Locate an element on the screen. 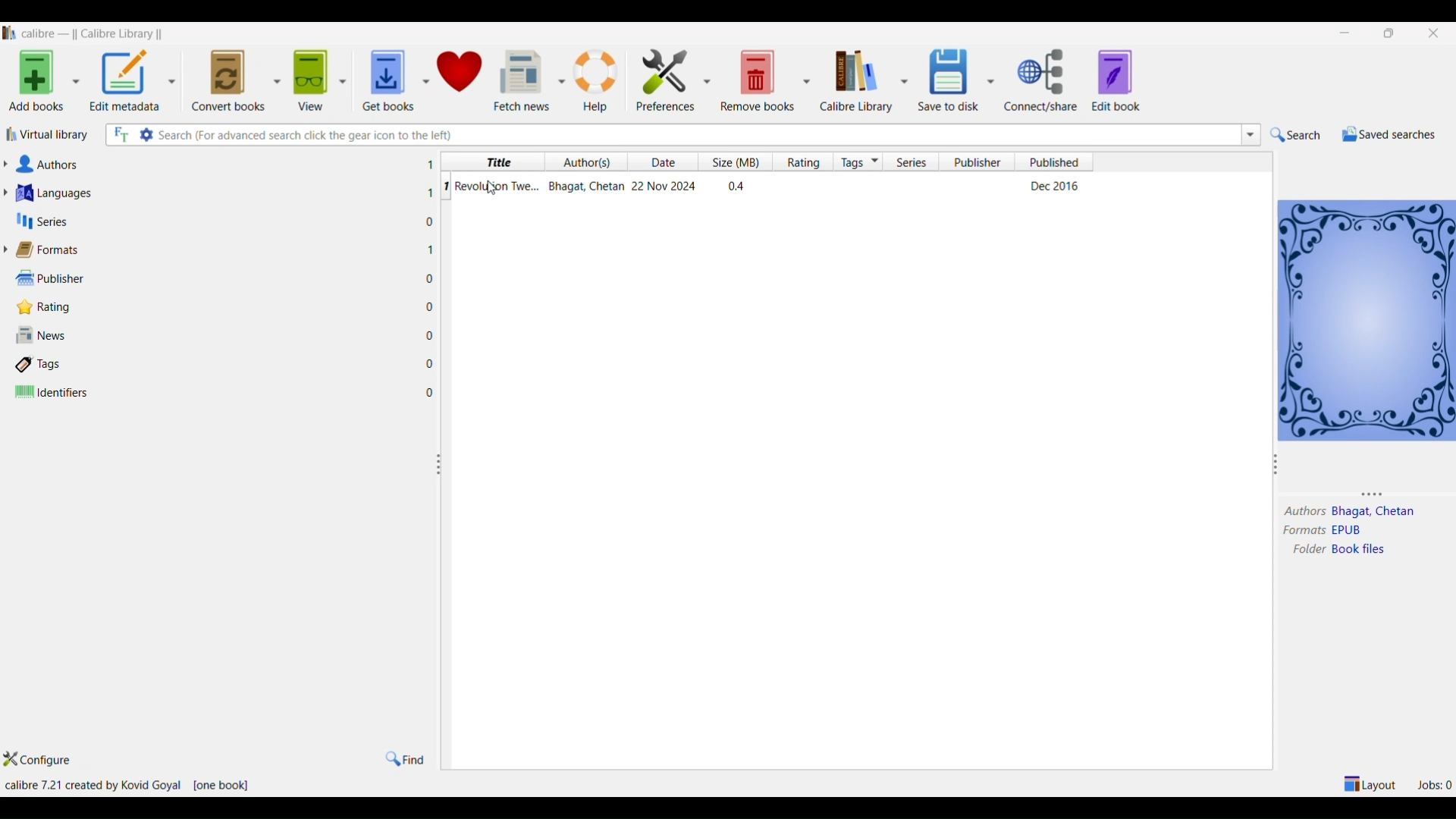  authors is located at coordinates (588, 162).